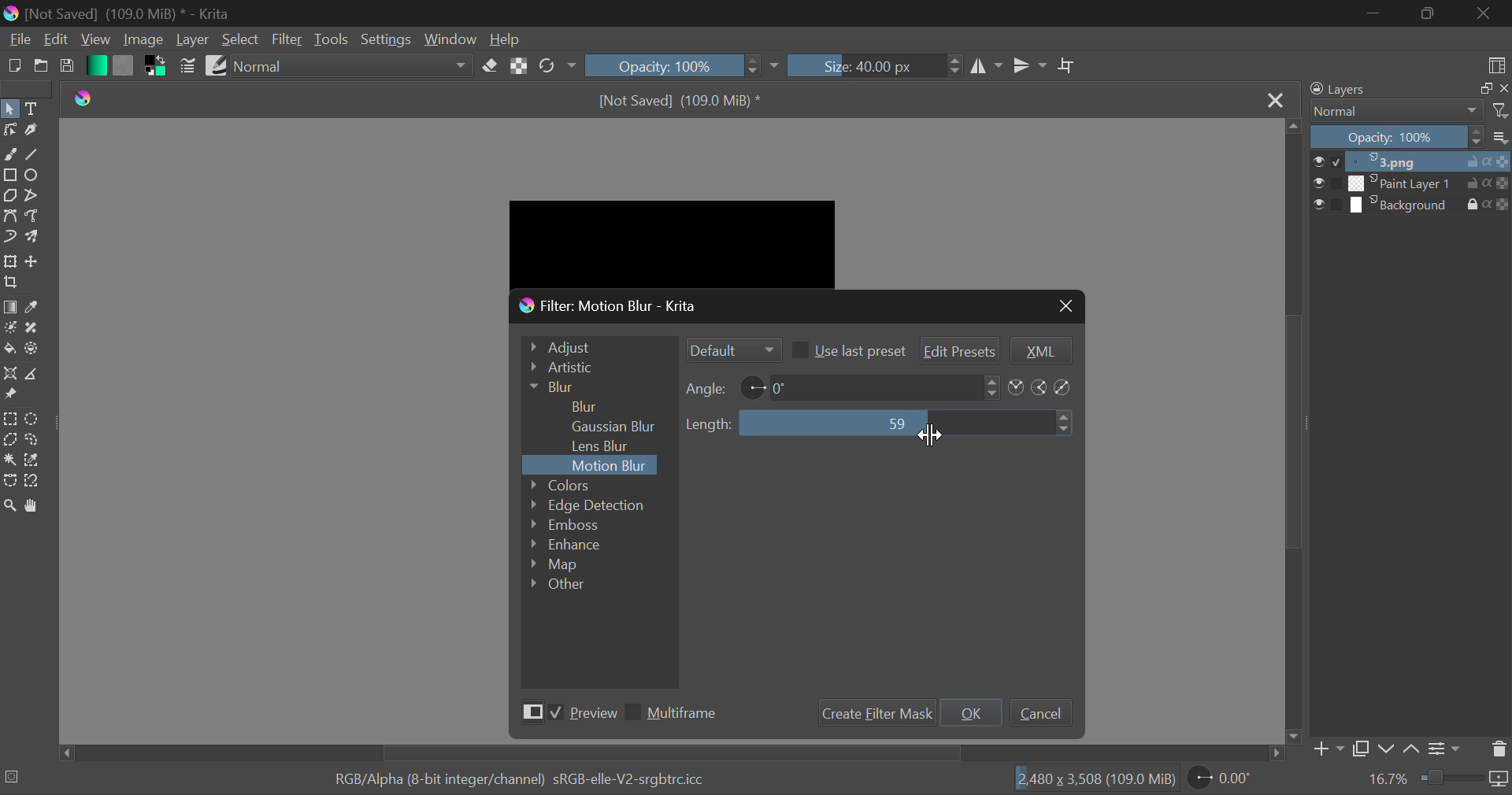  Describe the element at coordinates (563, 566) in the screenshot. I see `Map` at that location.